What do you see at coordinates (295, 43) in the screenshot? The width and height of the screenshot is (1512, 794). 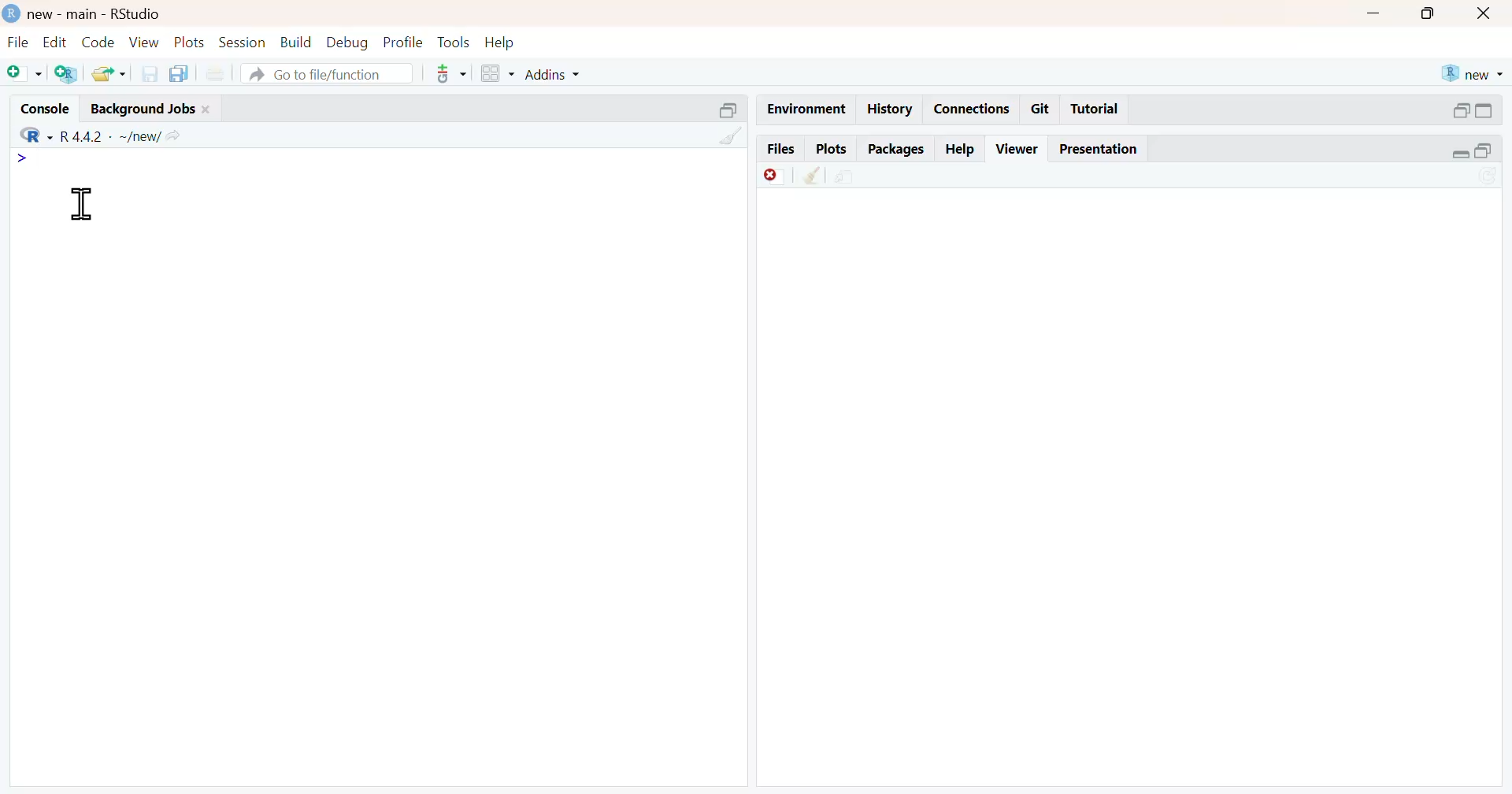 I see `build` at bounding box center [295, 43].